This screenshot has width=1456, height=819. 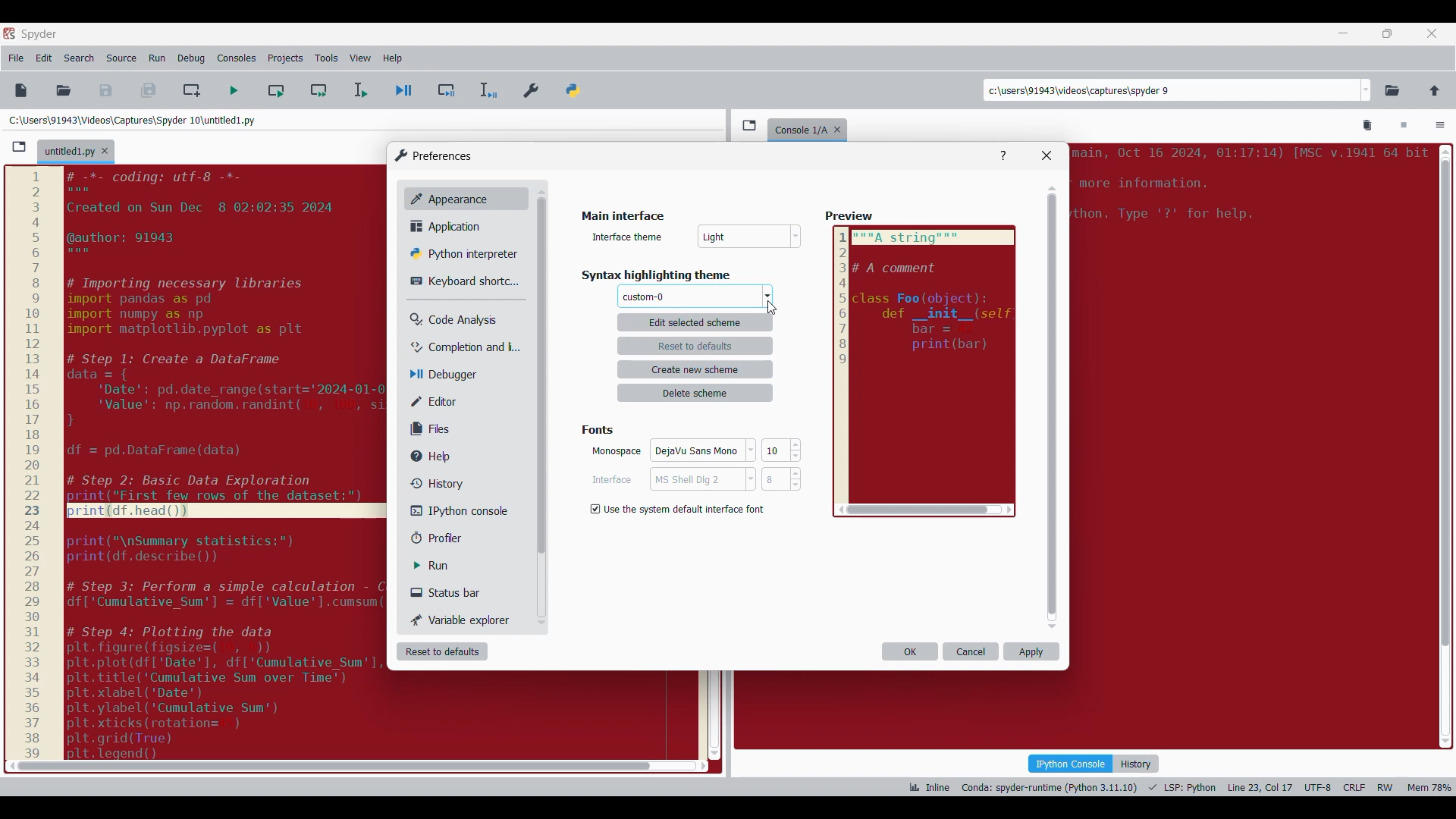 I want to click on , so click(x=540, y=380).